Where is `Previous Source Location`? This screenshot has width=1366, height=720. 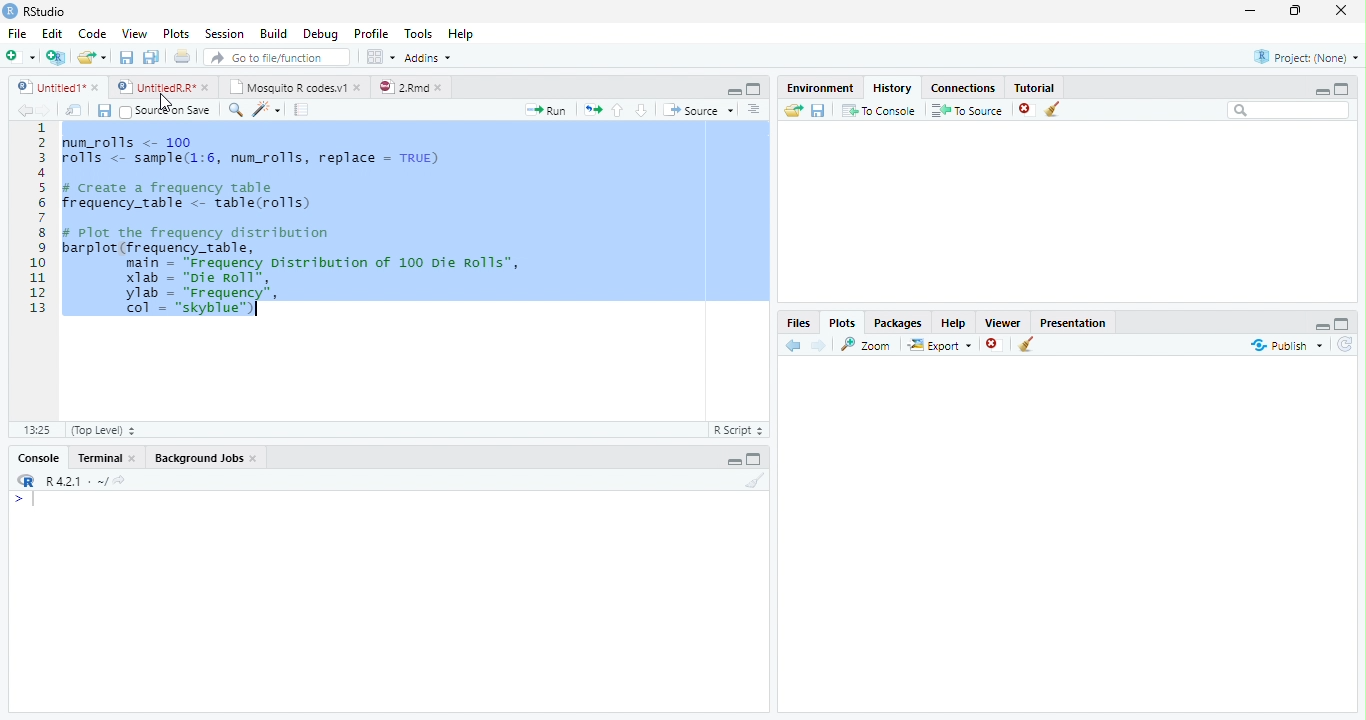 Previous Source Location is located at coordinates (22, 110).